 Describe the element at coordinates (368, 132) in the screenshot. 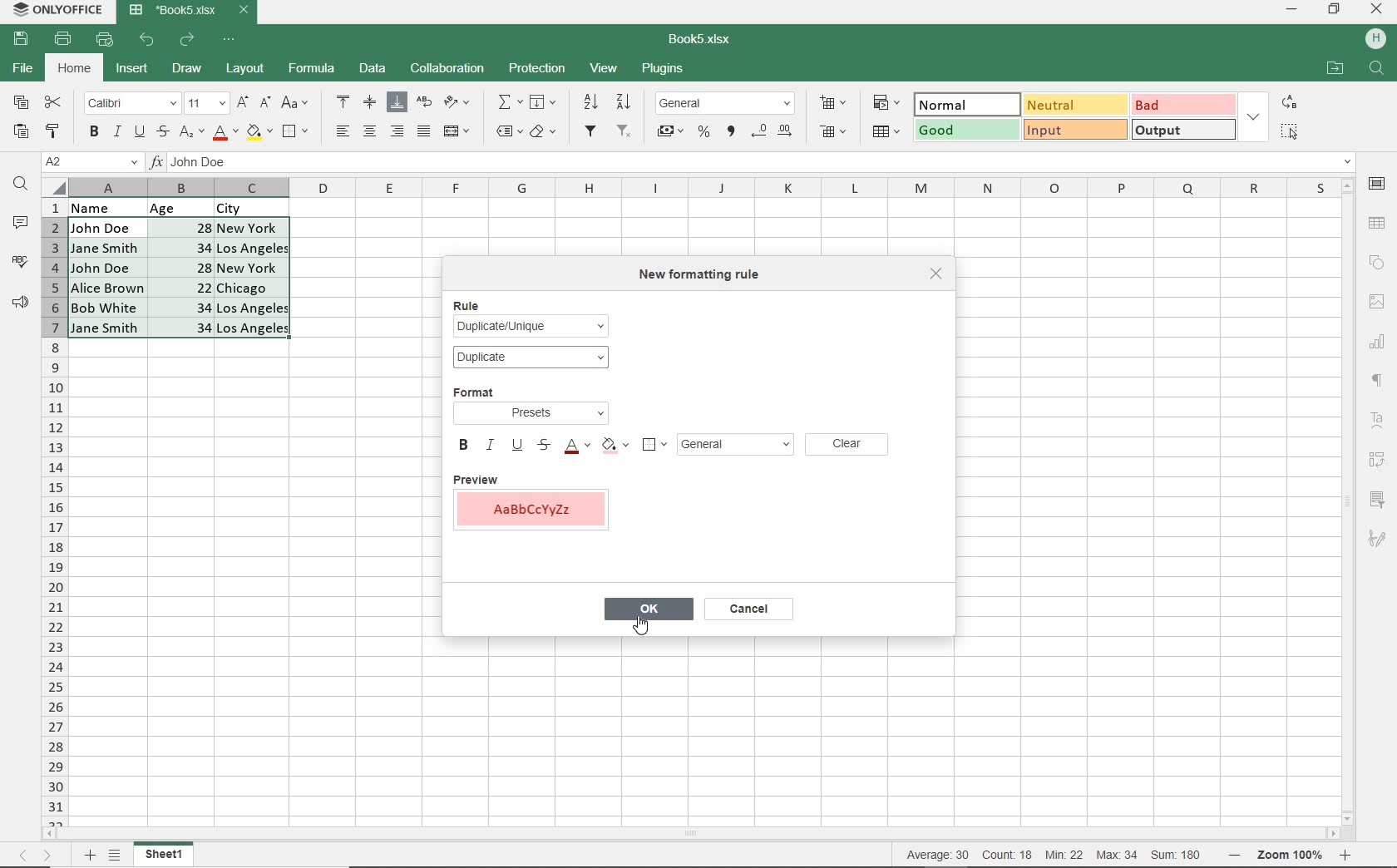

I see `ALIGN CENTER` at that location.